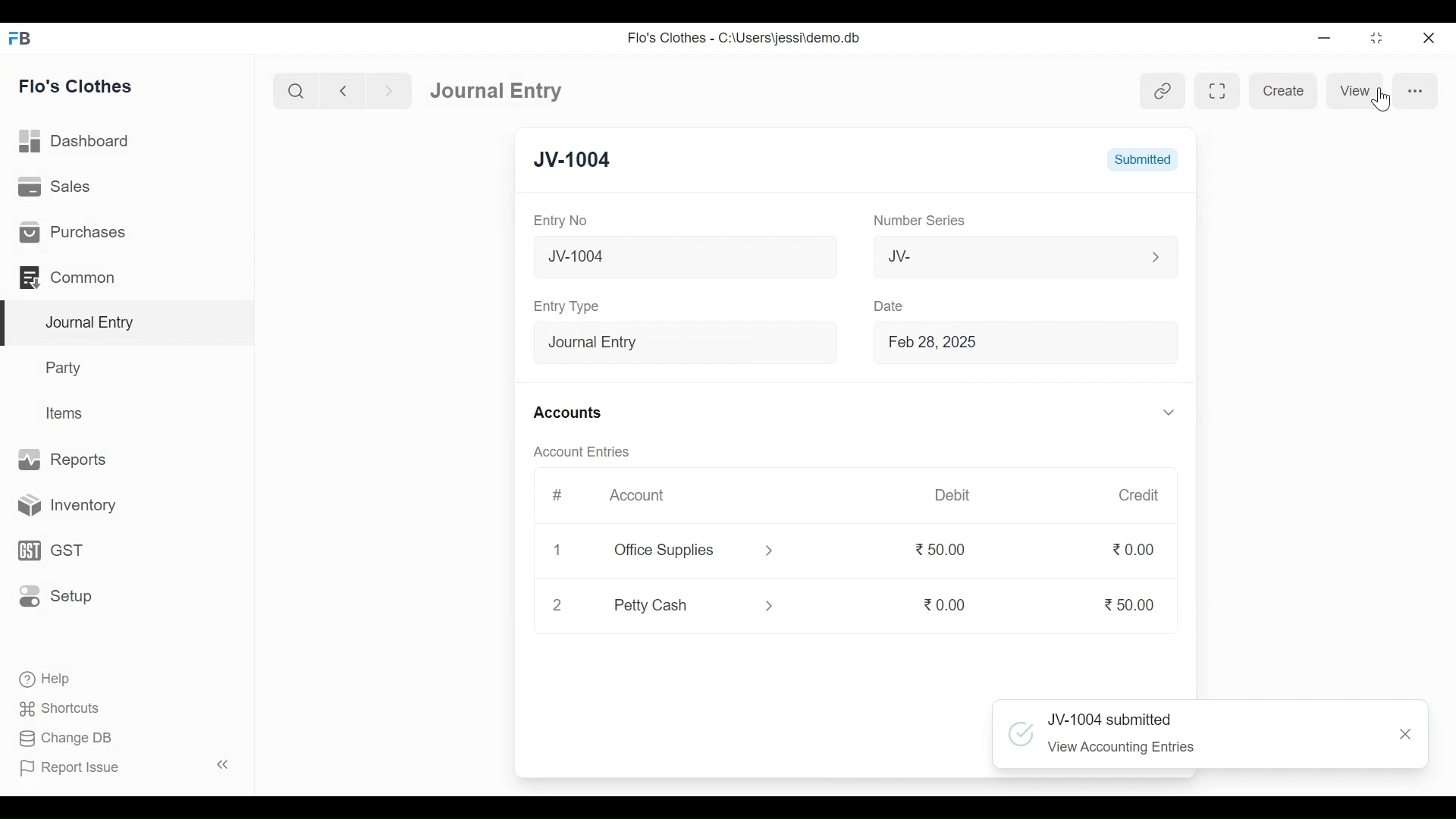  What do you see at coordinates (570, 161) in the screenshot?
I see `JV-1004` at bounding box center [570, 161].